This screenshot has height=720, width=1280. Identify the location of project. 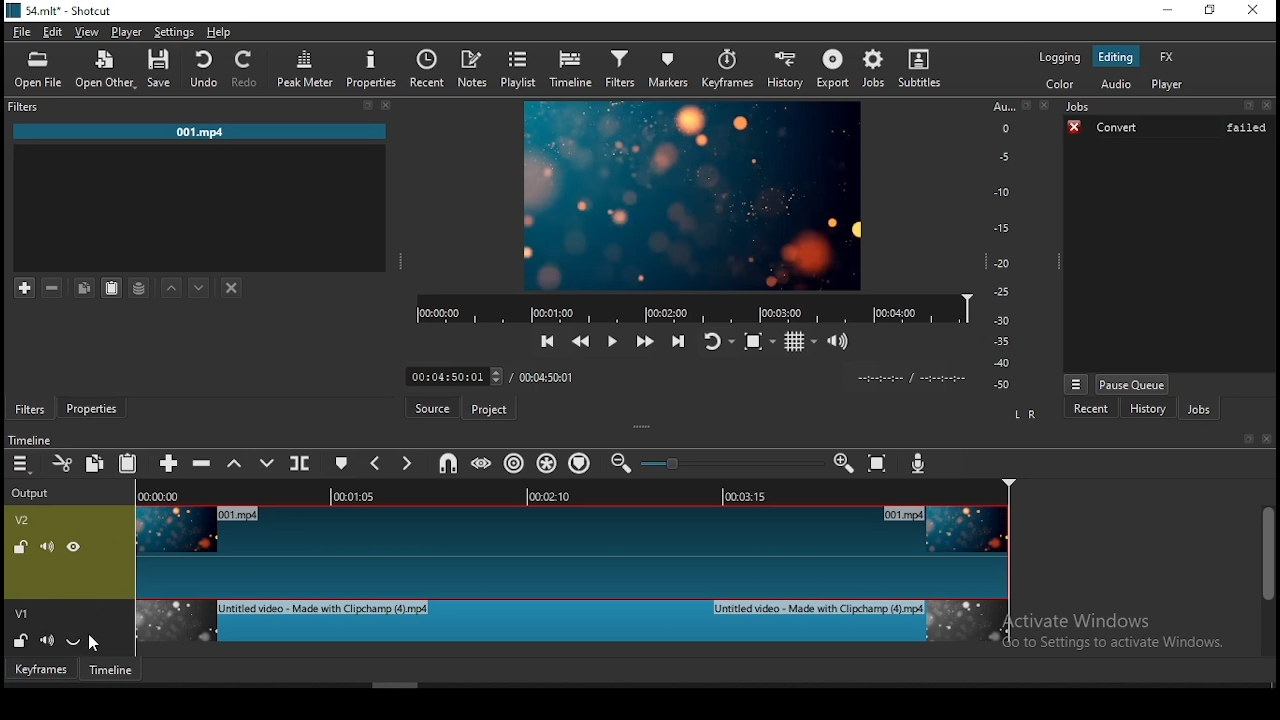
(489, 410).